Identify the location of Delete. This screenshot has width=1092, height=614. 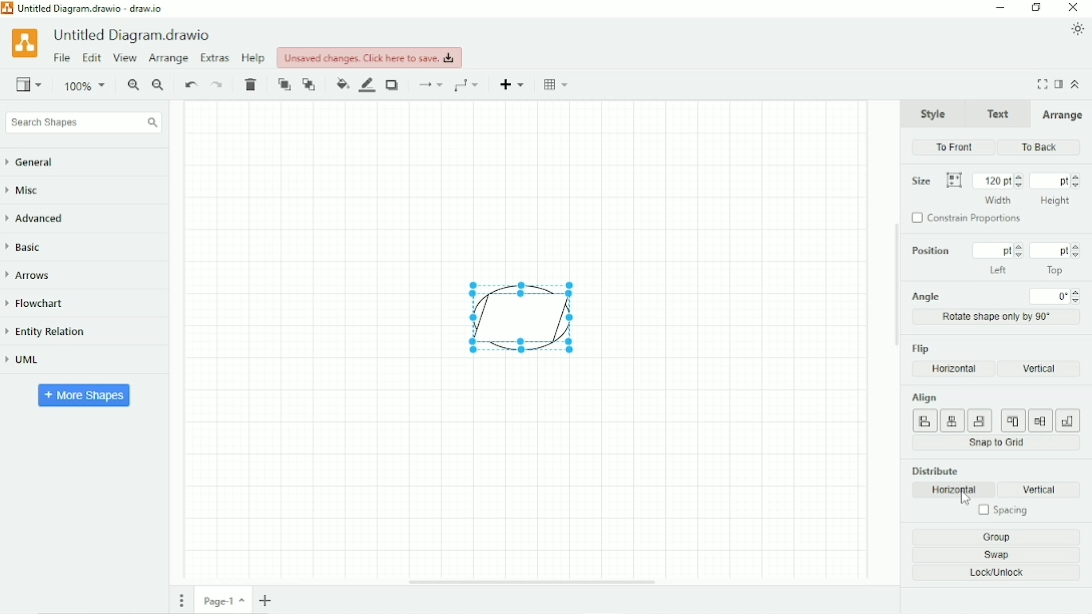
(253, 85).